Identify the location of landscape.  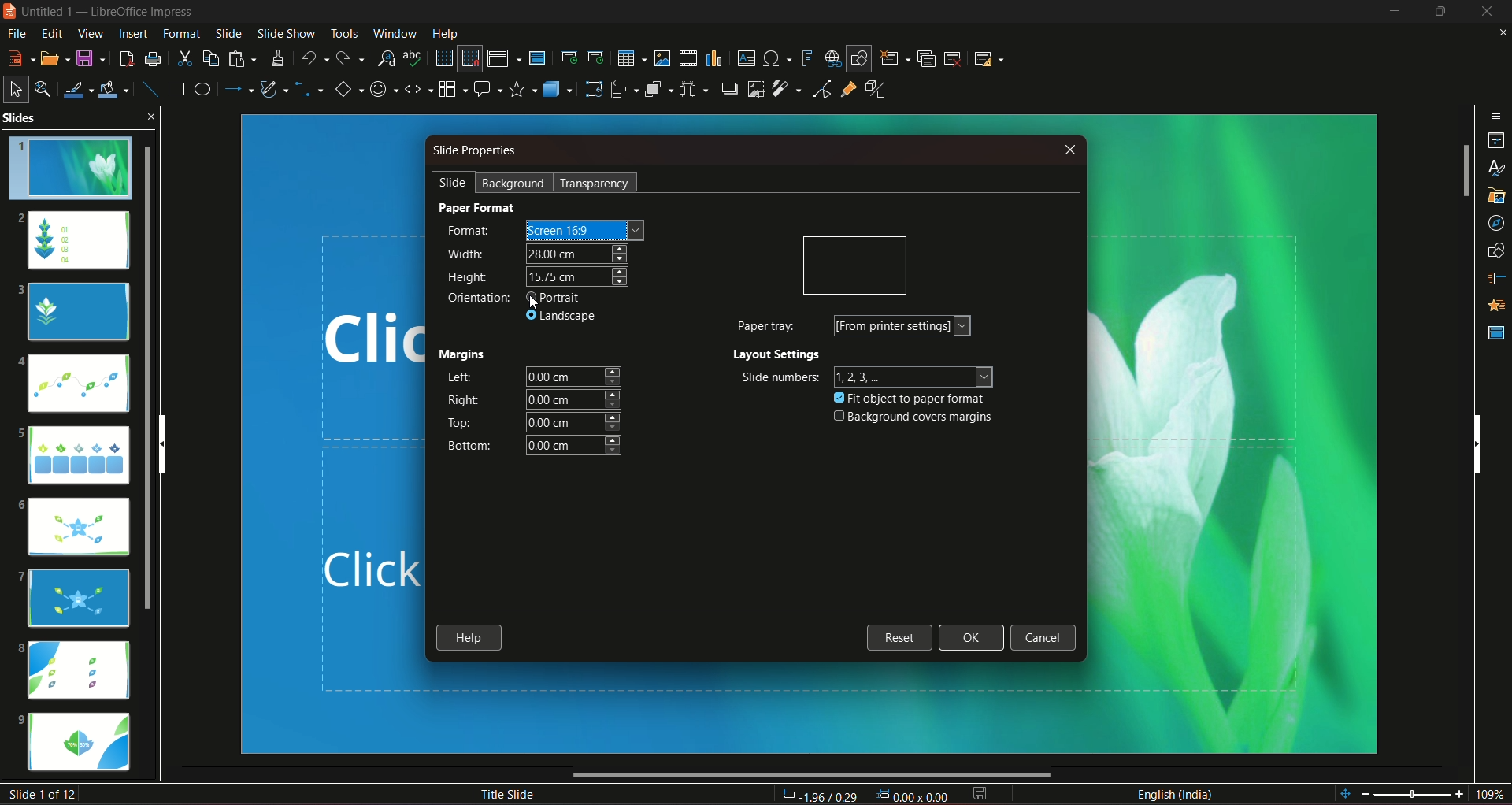
(563, 320).